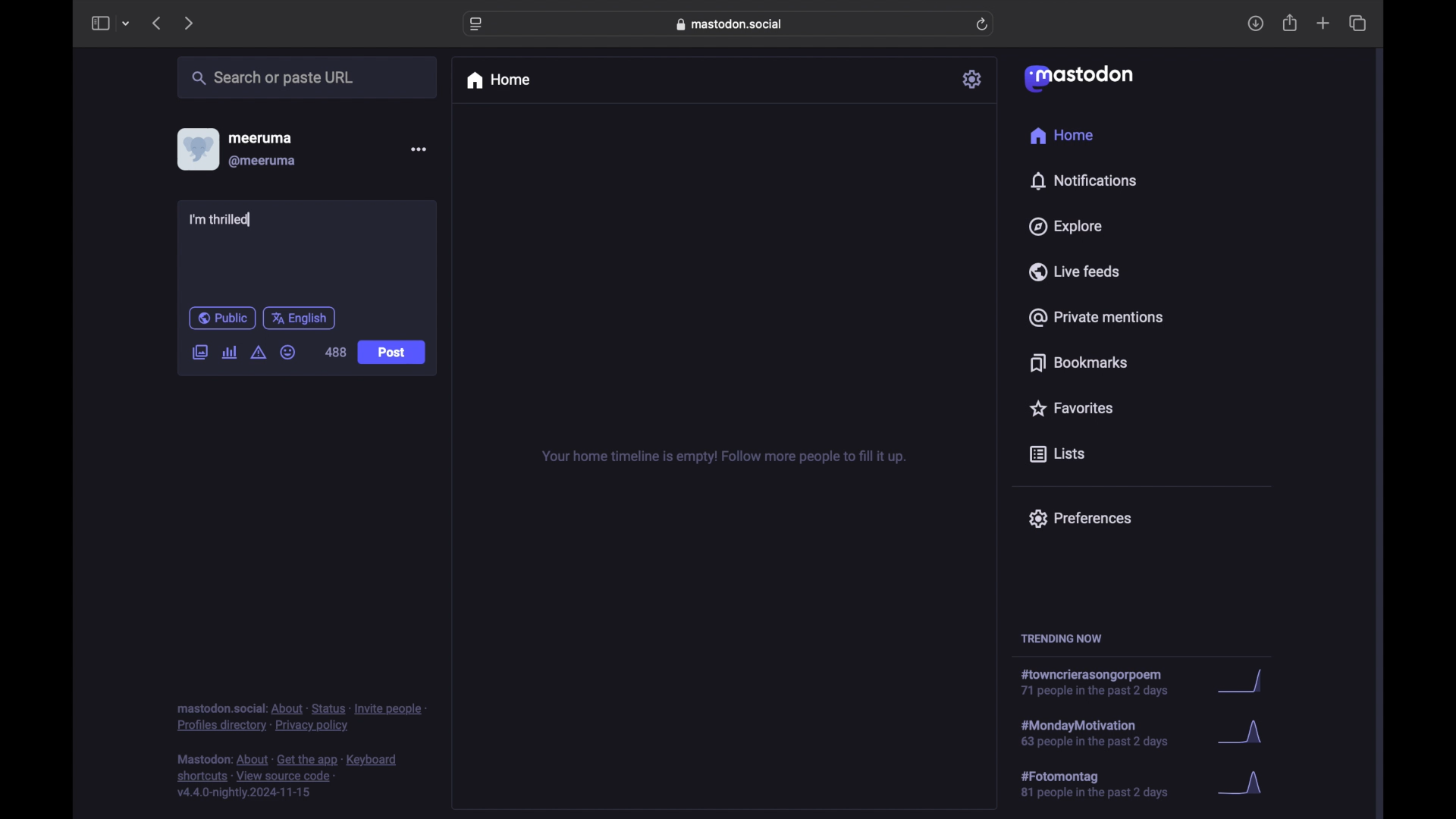 The width and height of the screenshot is (1456, 819). I want to click on show tab overview, so click(1359, 23).